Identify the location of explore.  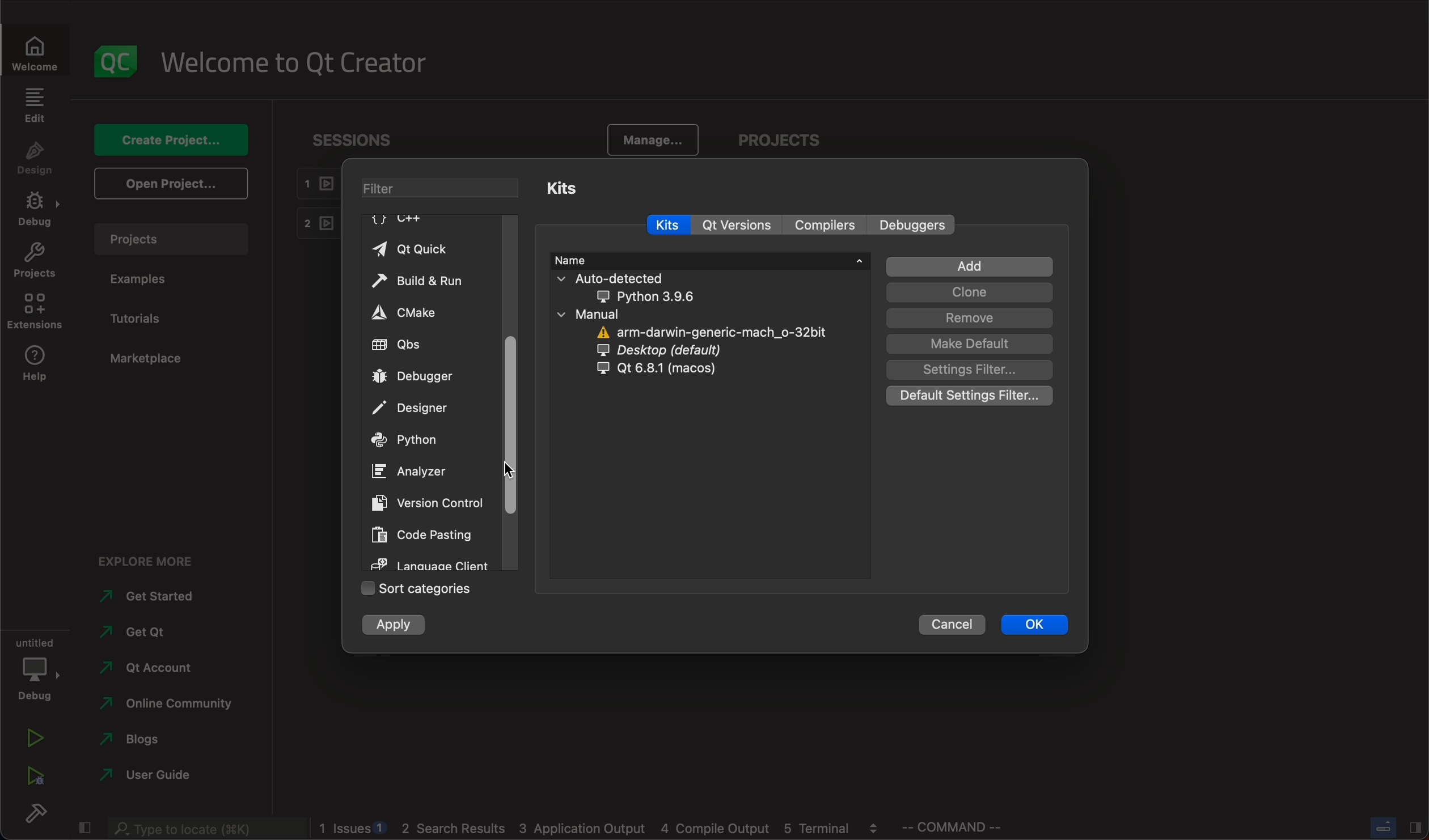
(147, 563).